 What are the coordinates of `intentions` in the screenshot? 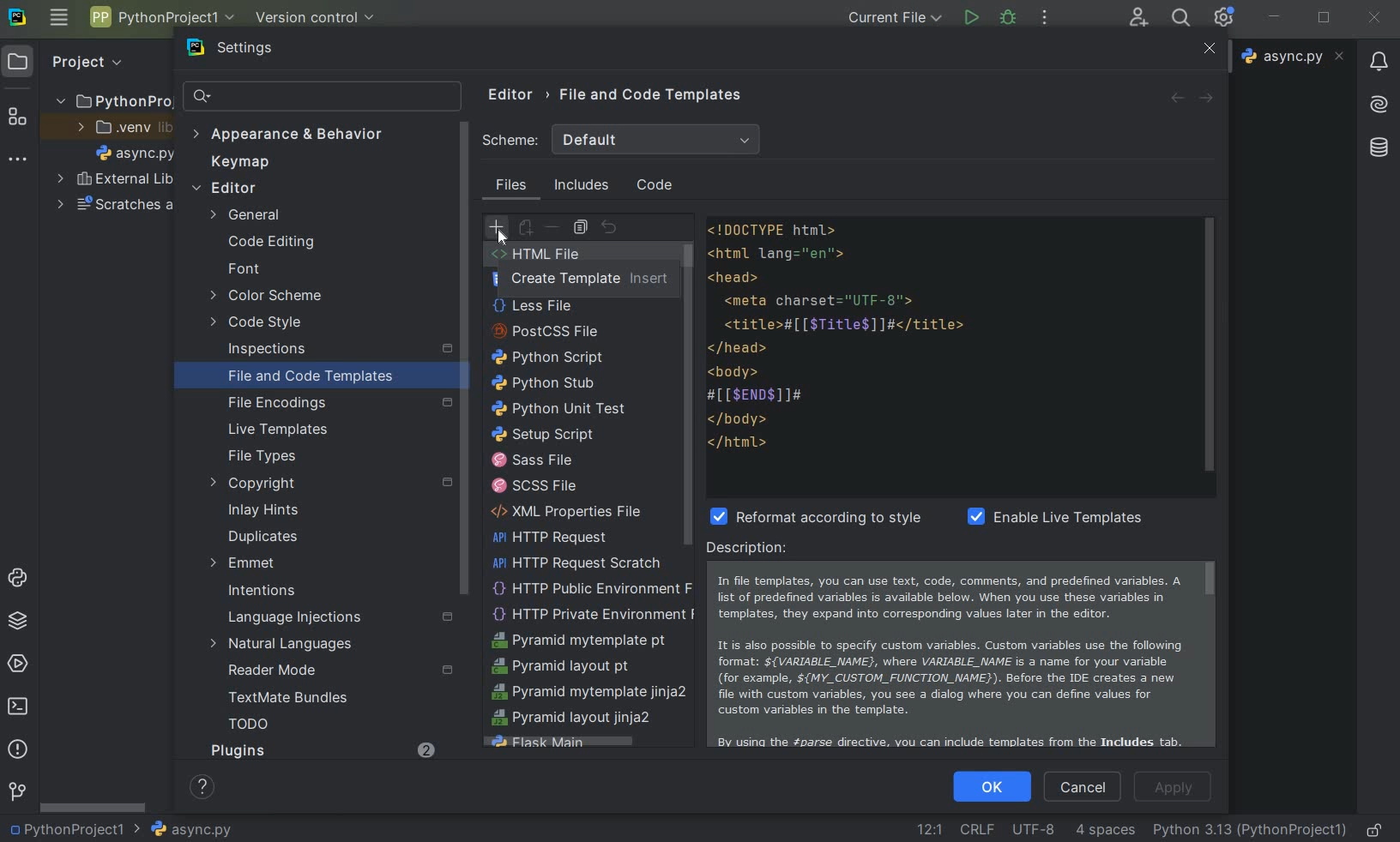 It's located at (277, 592).